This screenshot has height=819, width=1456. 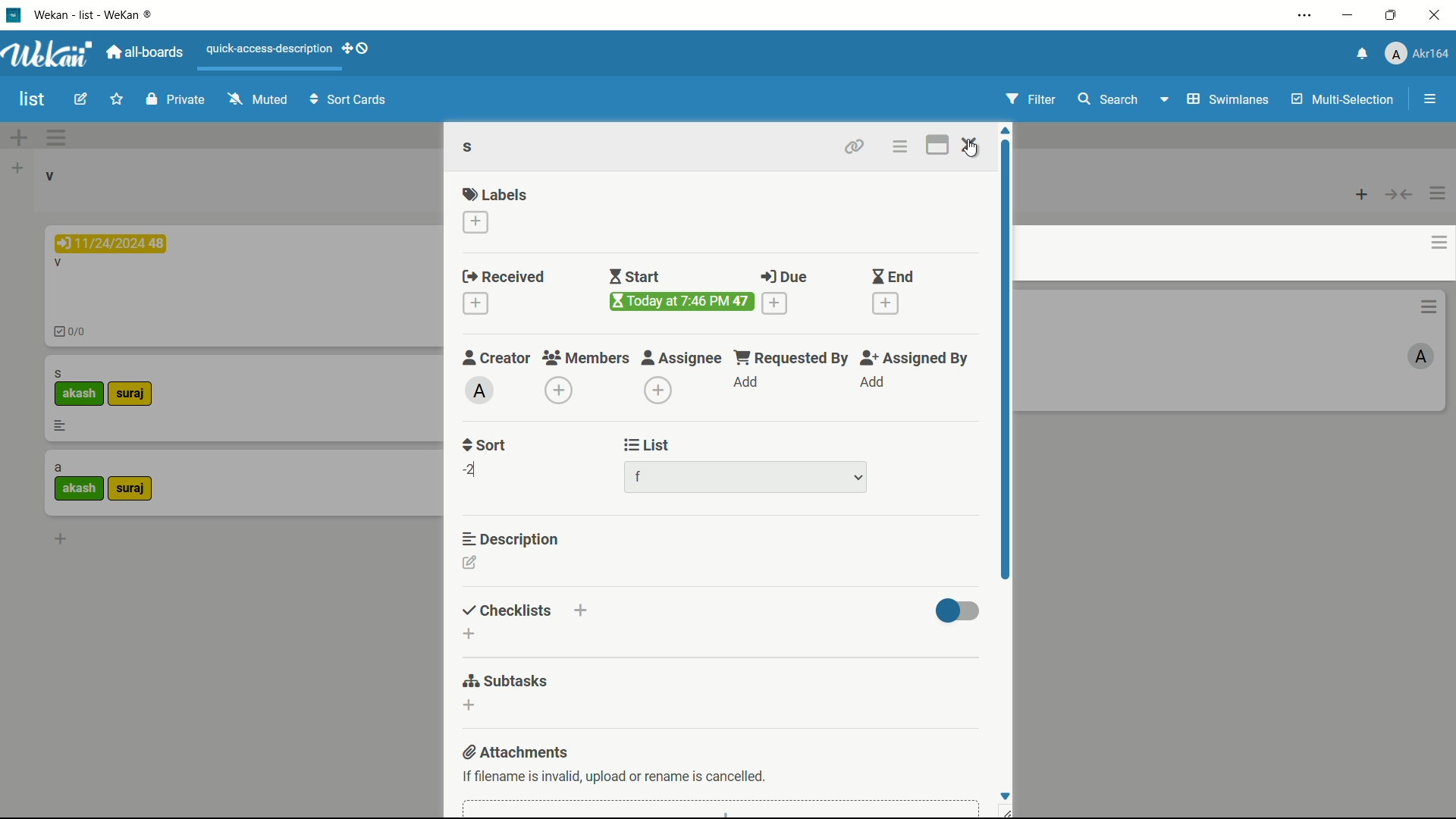 I want to click on multi selection, so click(x=1345, y=101).